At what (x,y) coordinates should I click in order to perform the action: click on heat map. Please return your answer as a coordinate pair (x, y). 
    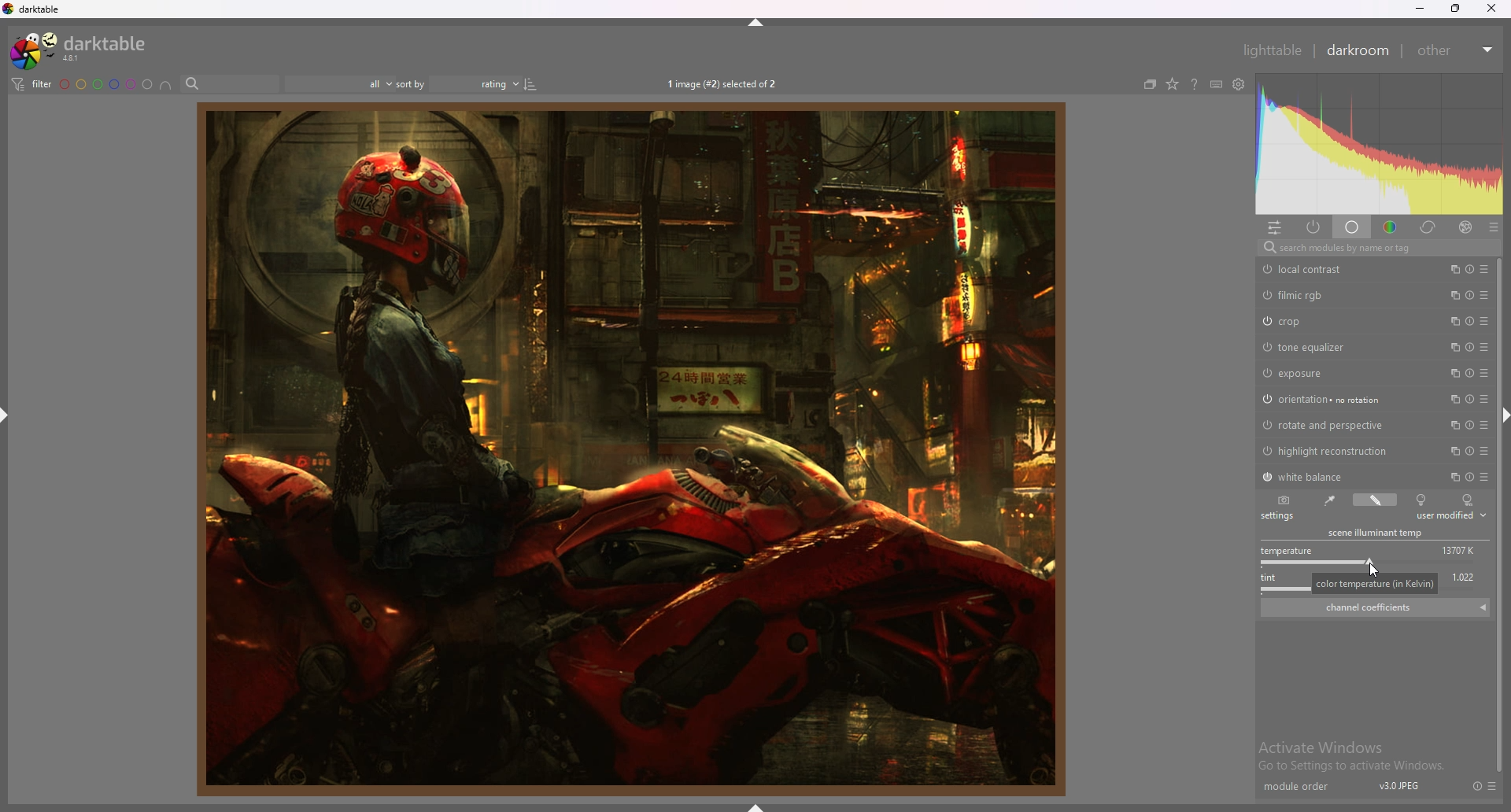
    Looking at the image, I should click on (1378, 143).